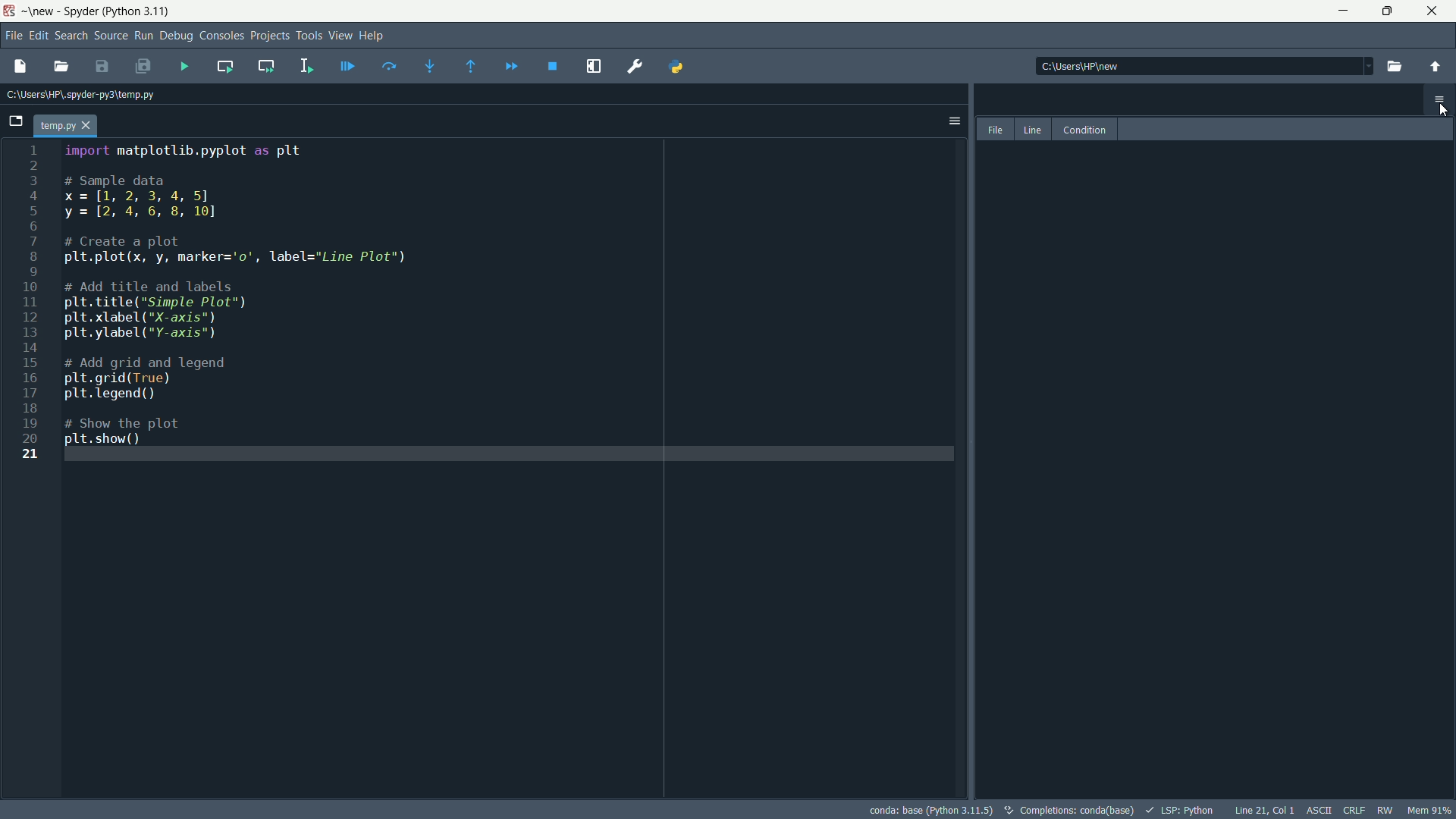 The image size is (1456, 819). Describe the element at coordinates (19, 62) in the screenshot. I see `new file` at that location.